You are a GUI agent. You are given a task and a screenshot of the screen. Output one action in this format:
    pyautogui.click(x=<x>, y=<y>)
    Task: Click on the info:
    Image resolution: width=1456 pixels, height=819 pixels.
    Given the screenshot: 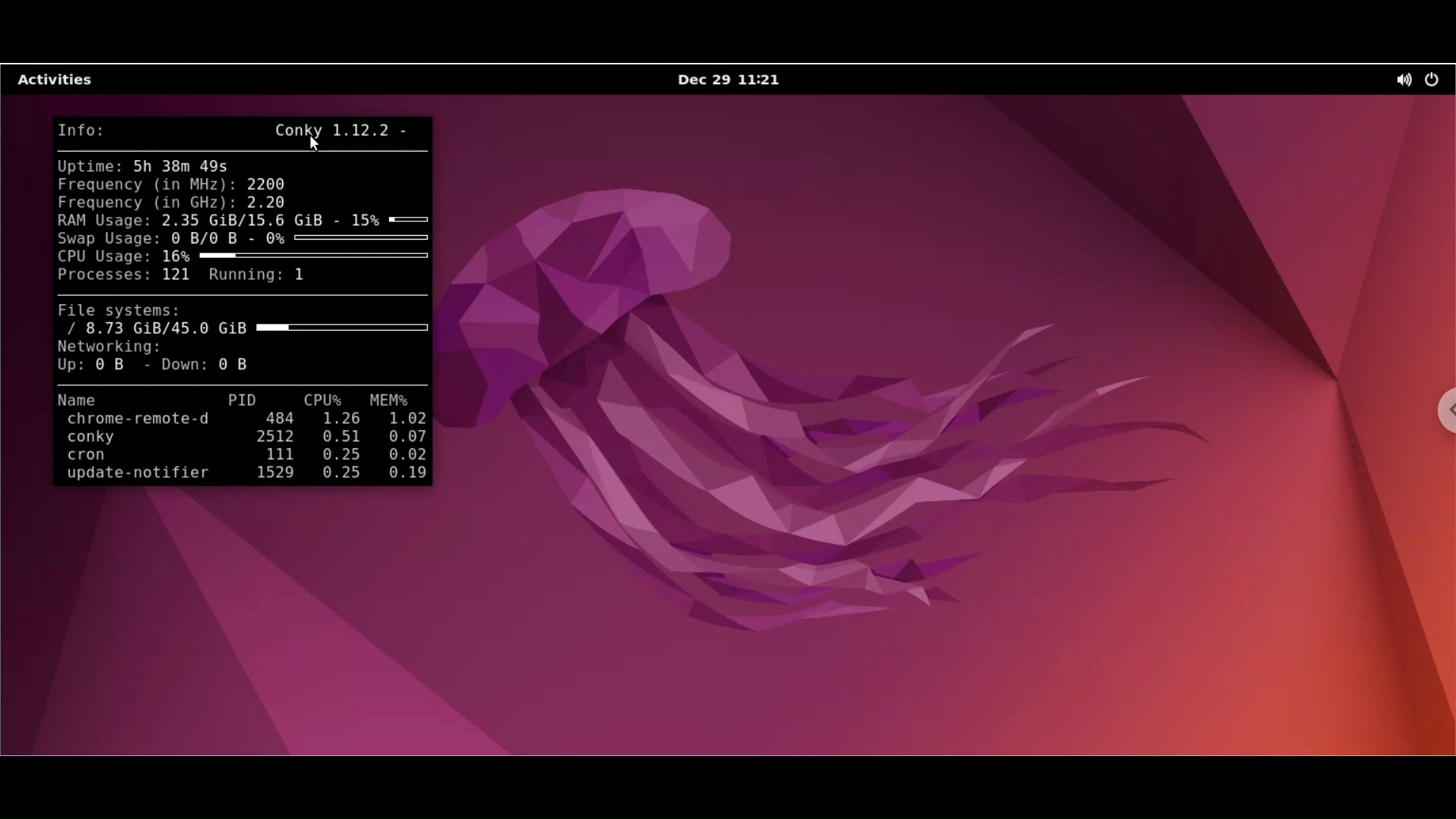 What is the action you would take?
    pyautogui.click(x=80, y=130)
    